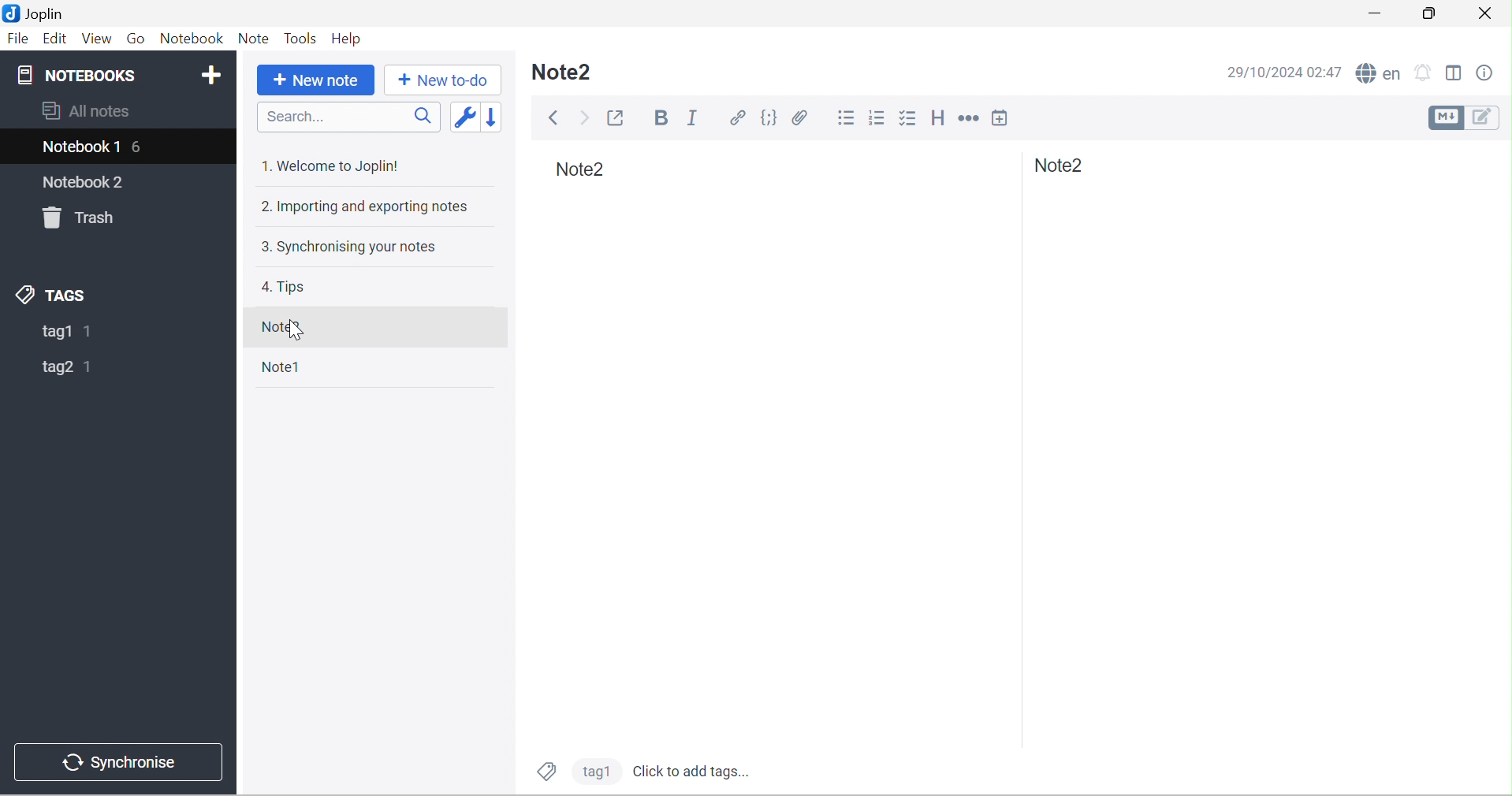  Describe the element at coordinates (734, 120) in the screenshot. I see `Hyperlink` at that location.